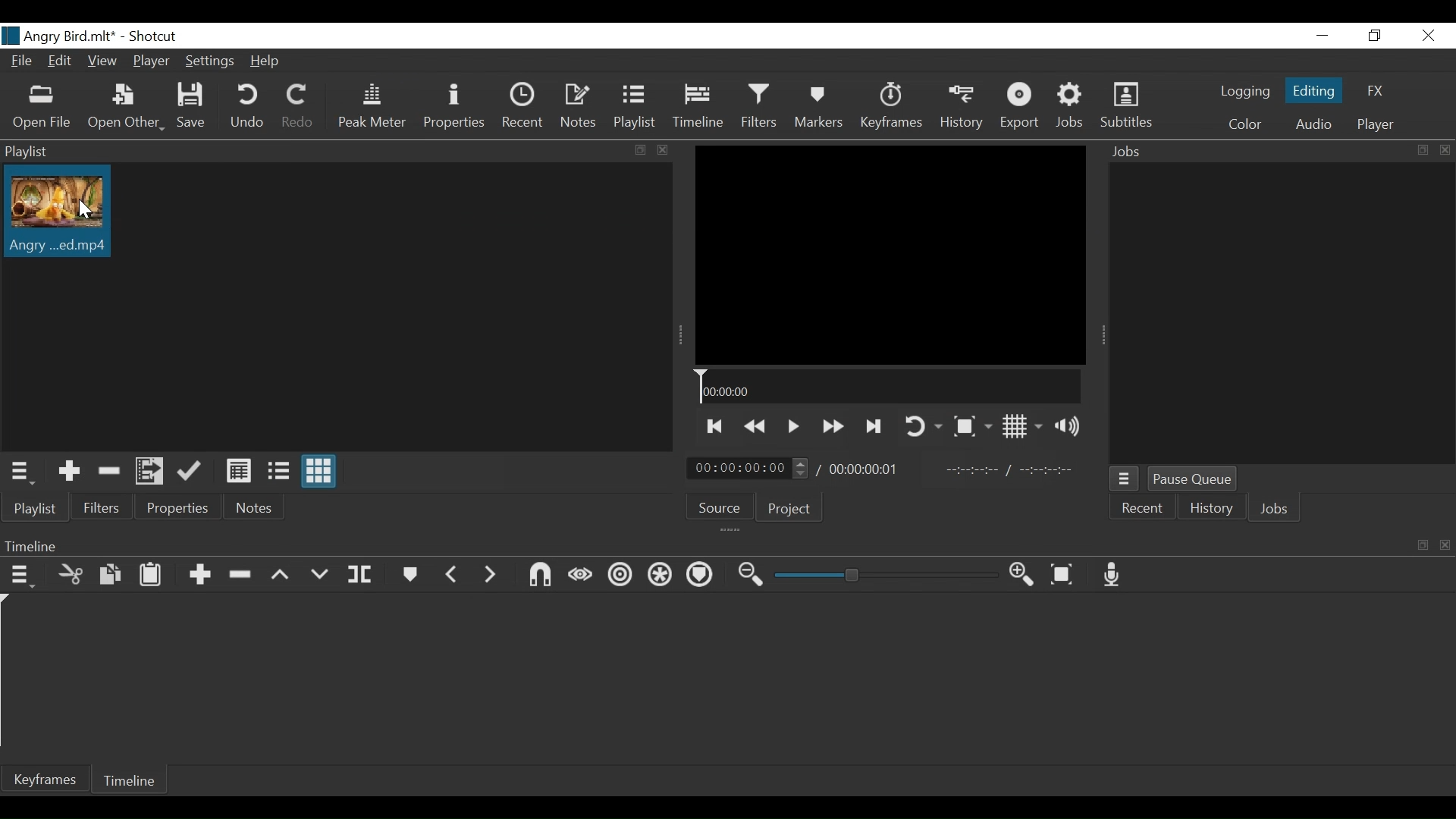 The width and height of the screenshot is (1456, 819). I want to click on Toggle play or pause (space), so click(792, 426).